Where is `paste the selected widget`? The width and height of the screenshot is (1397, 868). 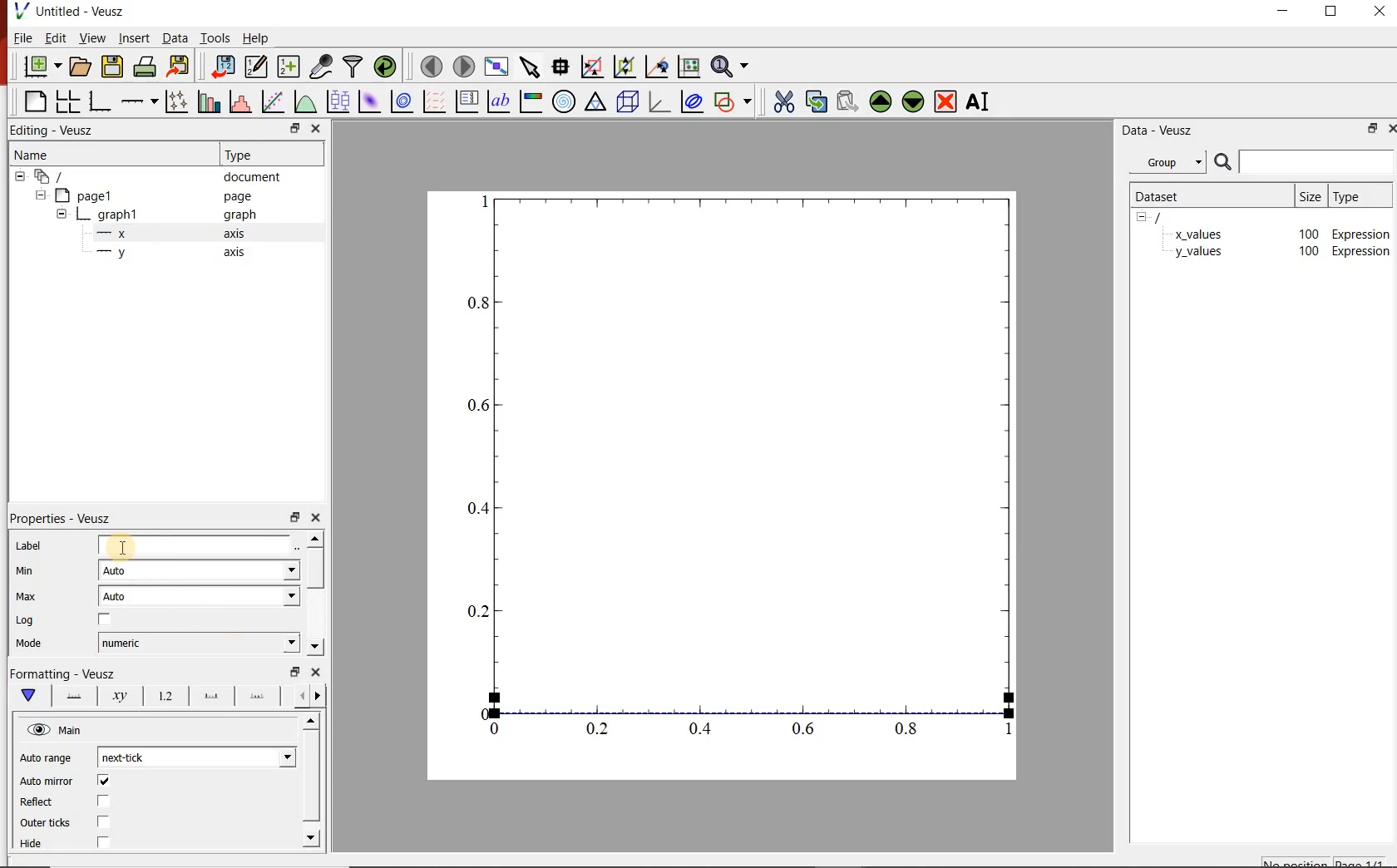
paste the selected widget is located at coordinates (845, 104).